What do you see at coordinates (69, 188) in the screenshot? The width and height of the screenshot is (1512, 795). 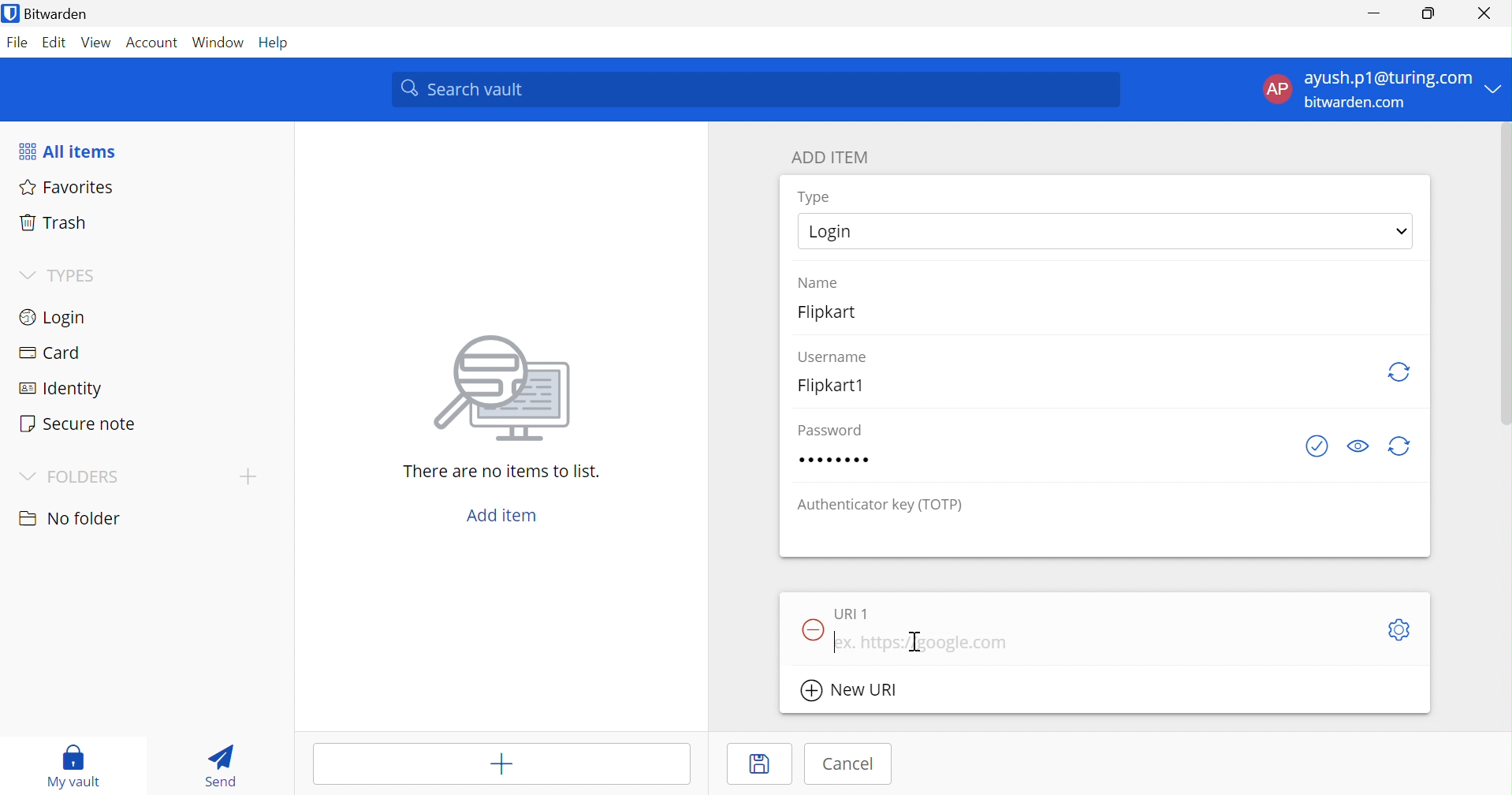 I see `Favorites` at bounding box center [69, 188].